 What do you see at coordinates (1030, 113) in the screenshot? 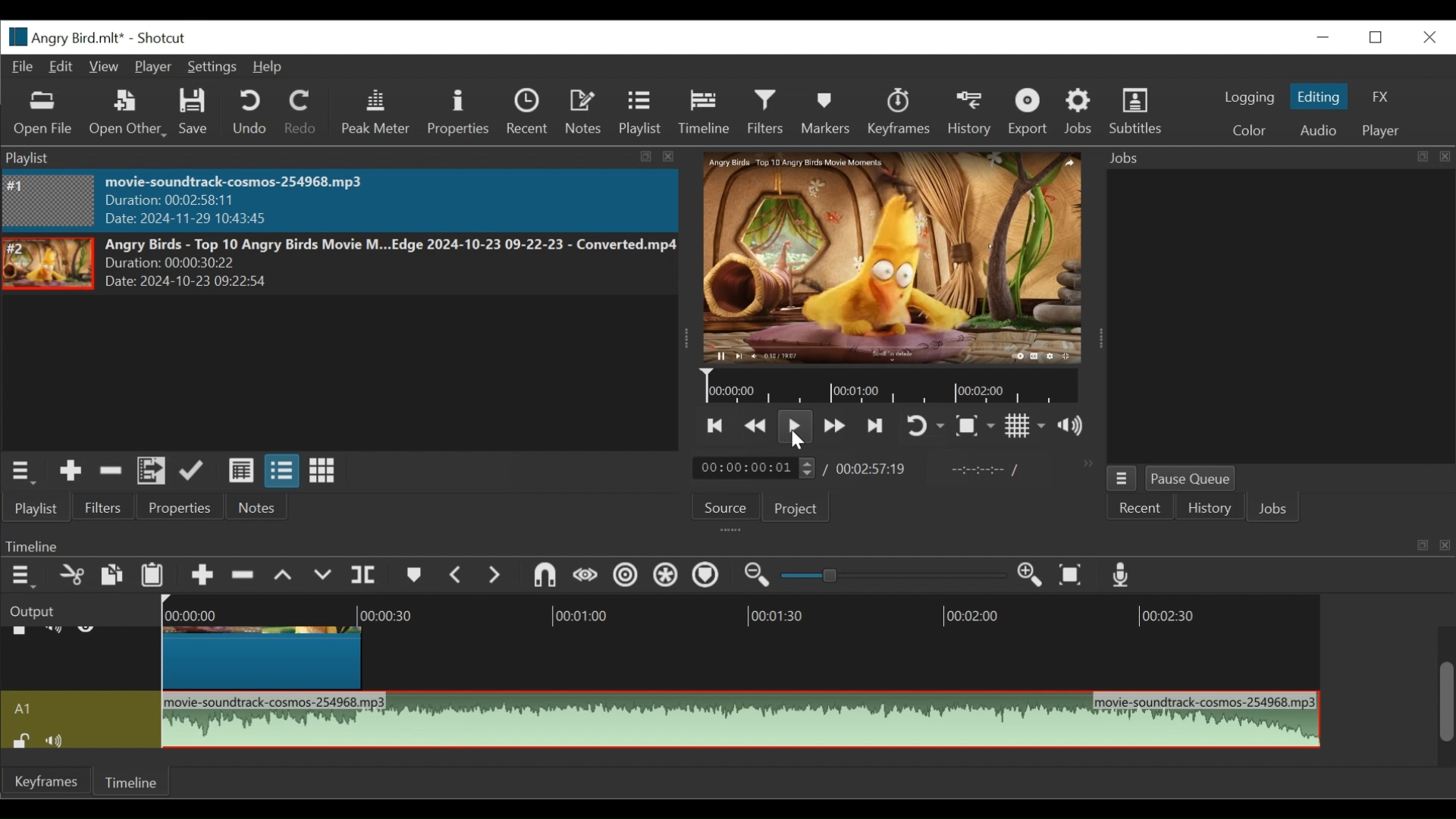
I see `Exort` at bounding box center [1030, 113].